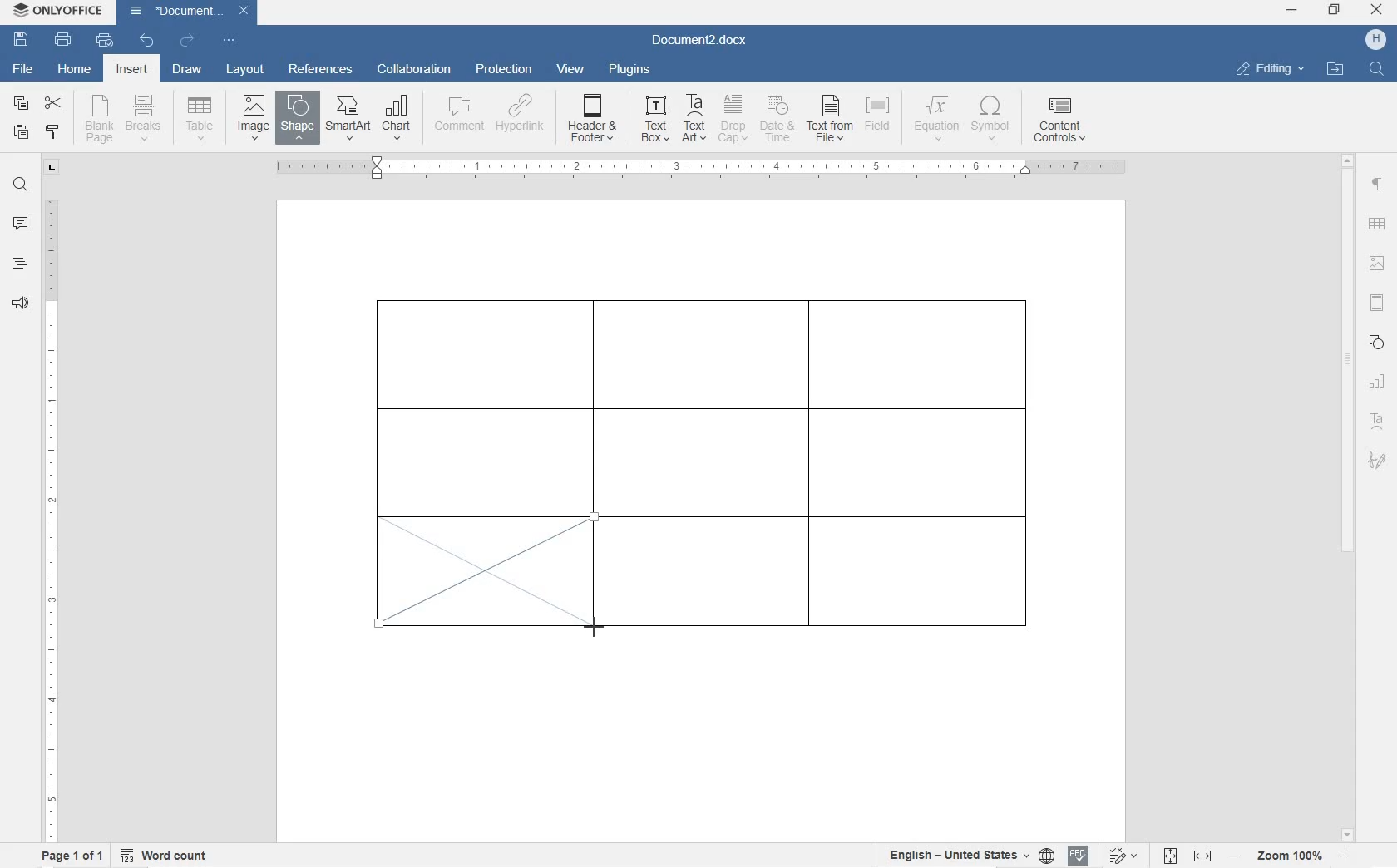 The image size is (1397, 868). Describe the element at coordinates (734, 121) in the screenshot. I see `DROP CAP` at that location.